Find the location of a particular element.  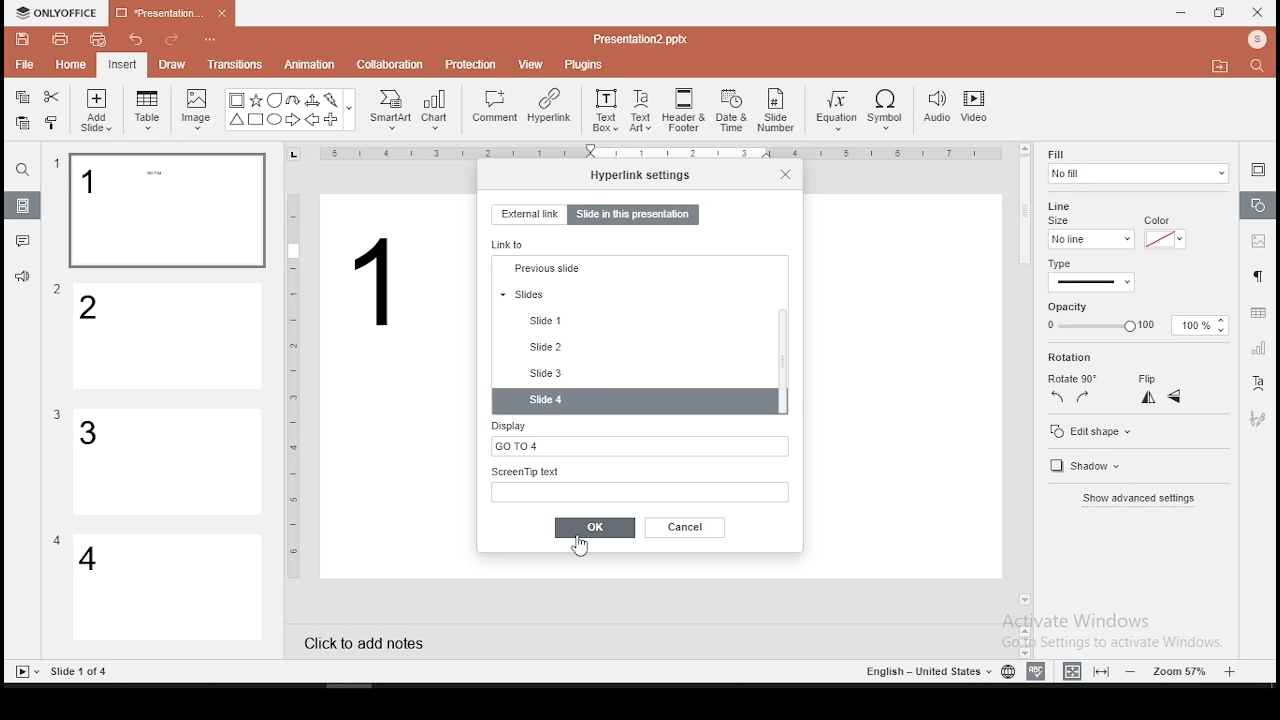

Circle is located at coordinates (276, 119).